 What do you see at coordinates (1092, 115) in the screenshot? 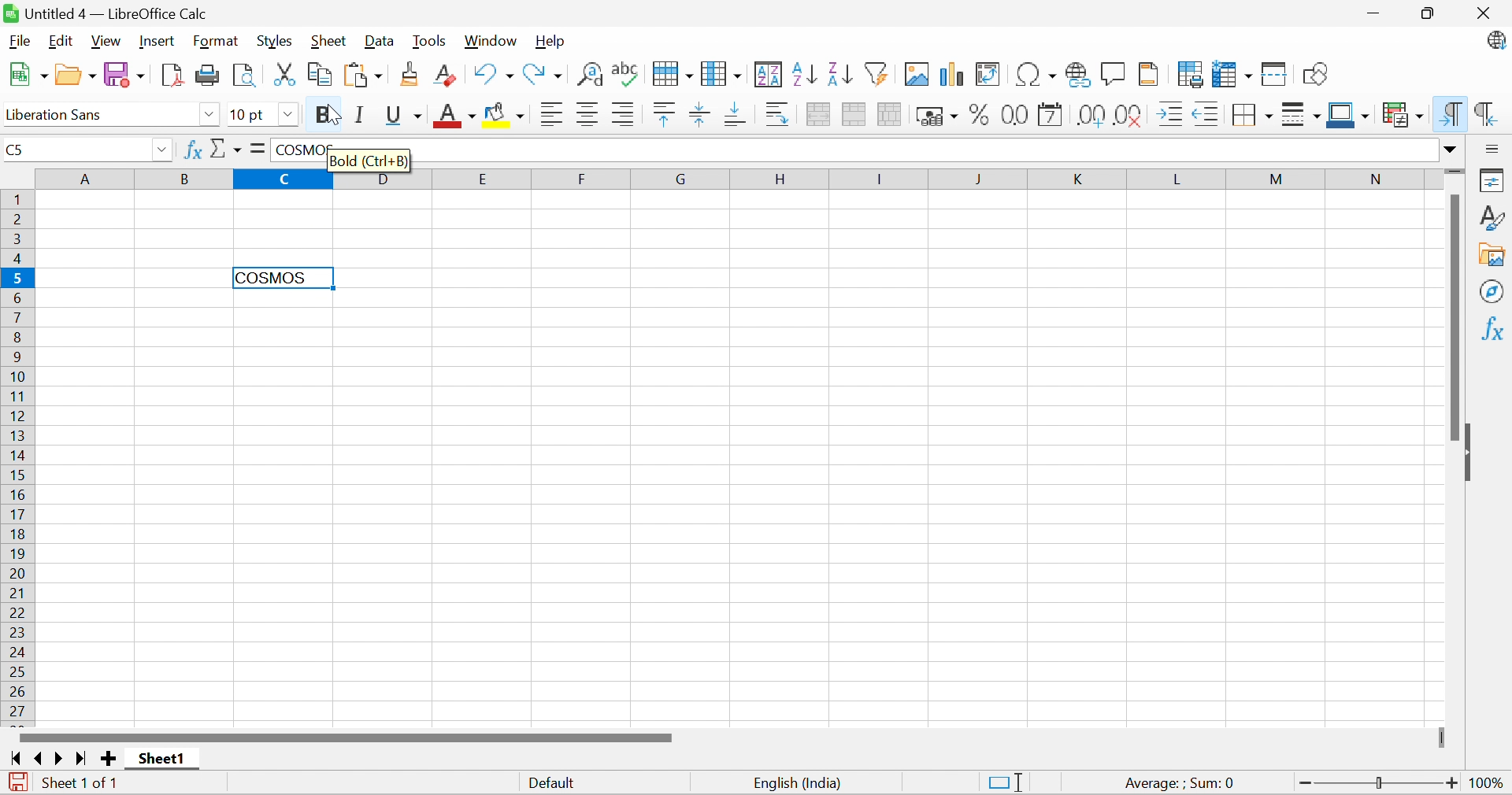
I see `Add Decimal Place` at bounding box center [1092, 115].